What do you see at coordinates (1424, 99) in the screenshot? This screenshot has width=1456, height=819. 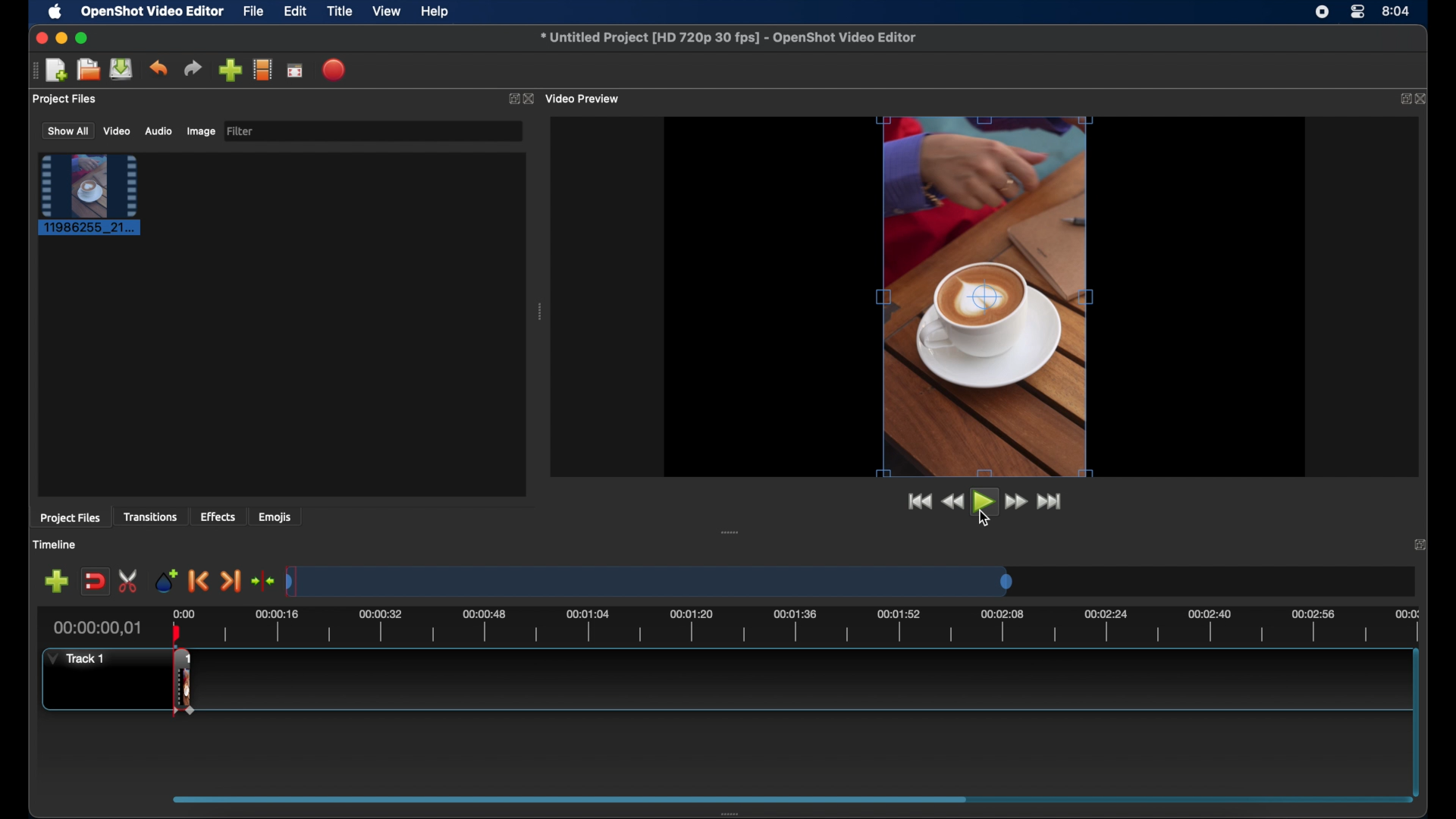 I see `close` at bounding box center [1424, 99].